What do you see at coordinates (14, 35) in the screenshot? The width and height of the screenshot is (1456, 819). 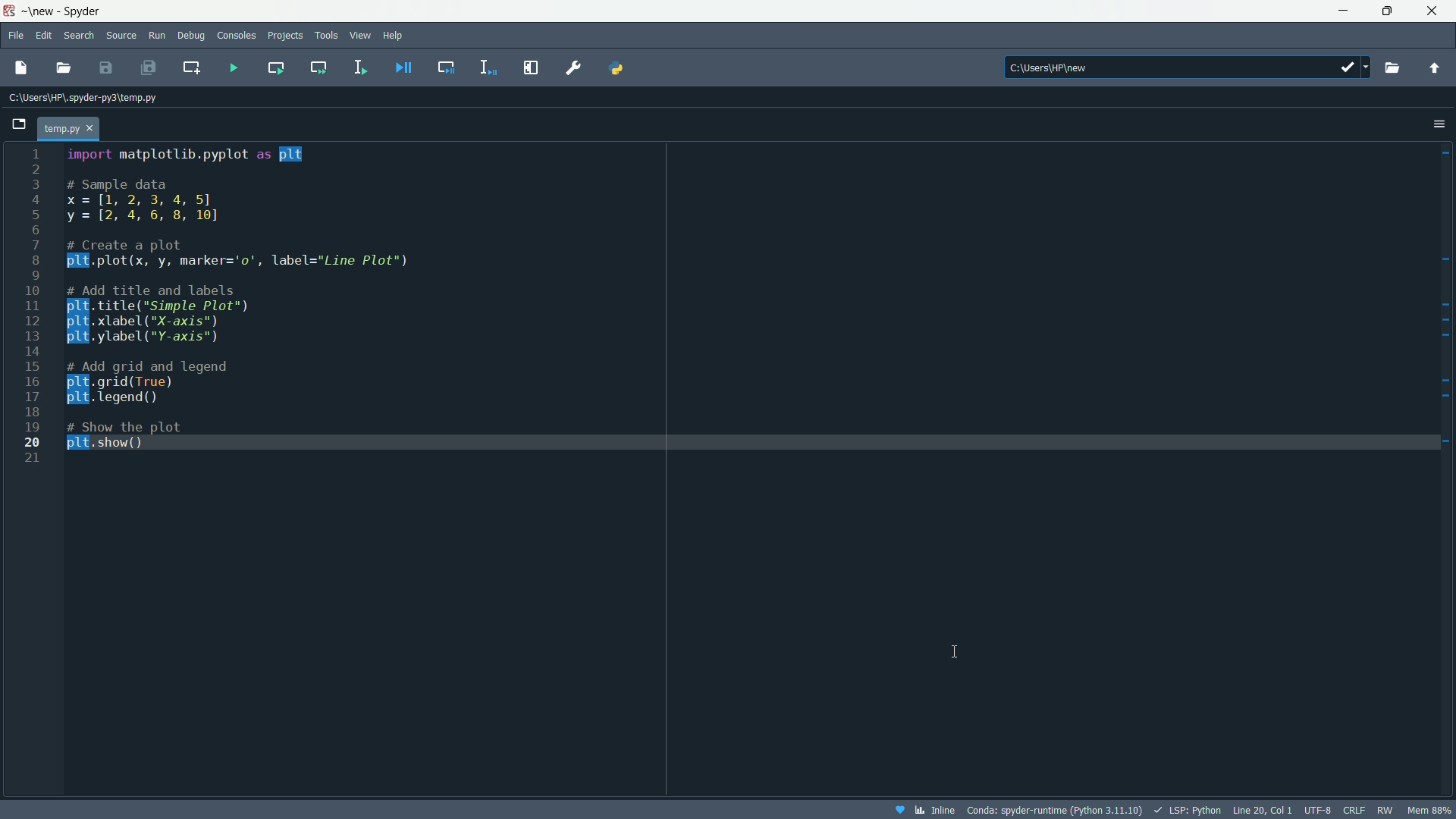 I see `file` at bounding box center [14, 35].